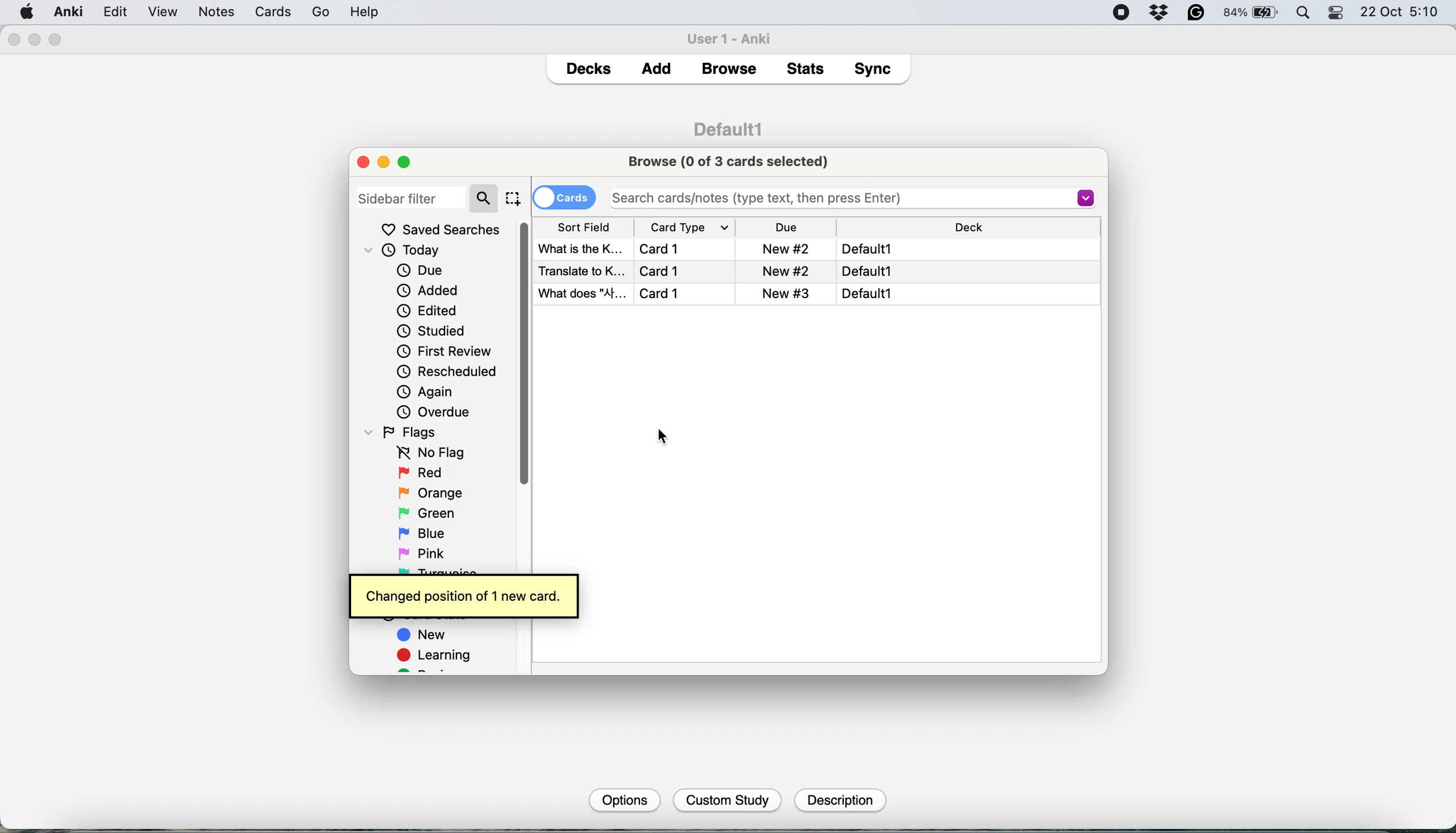 The image size is (1456, 833). I want to click on maximise, so click(409, 161).